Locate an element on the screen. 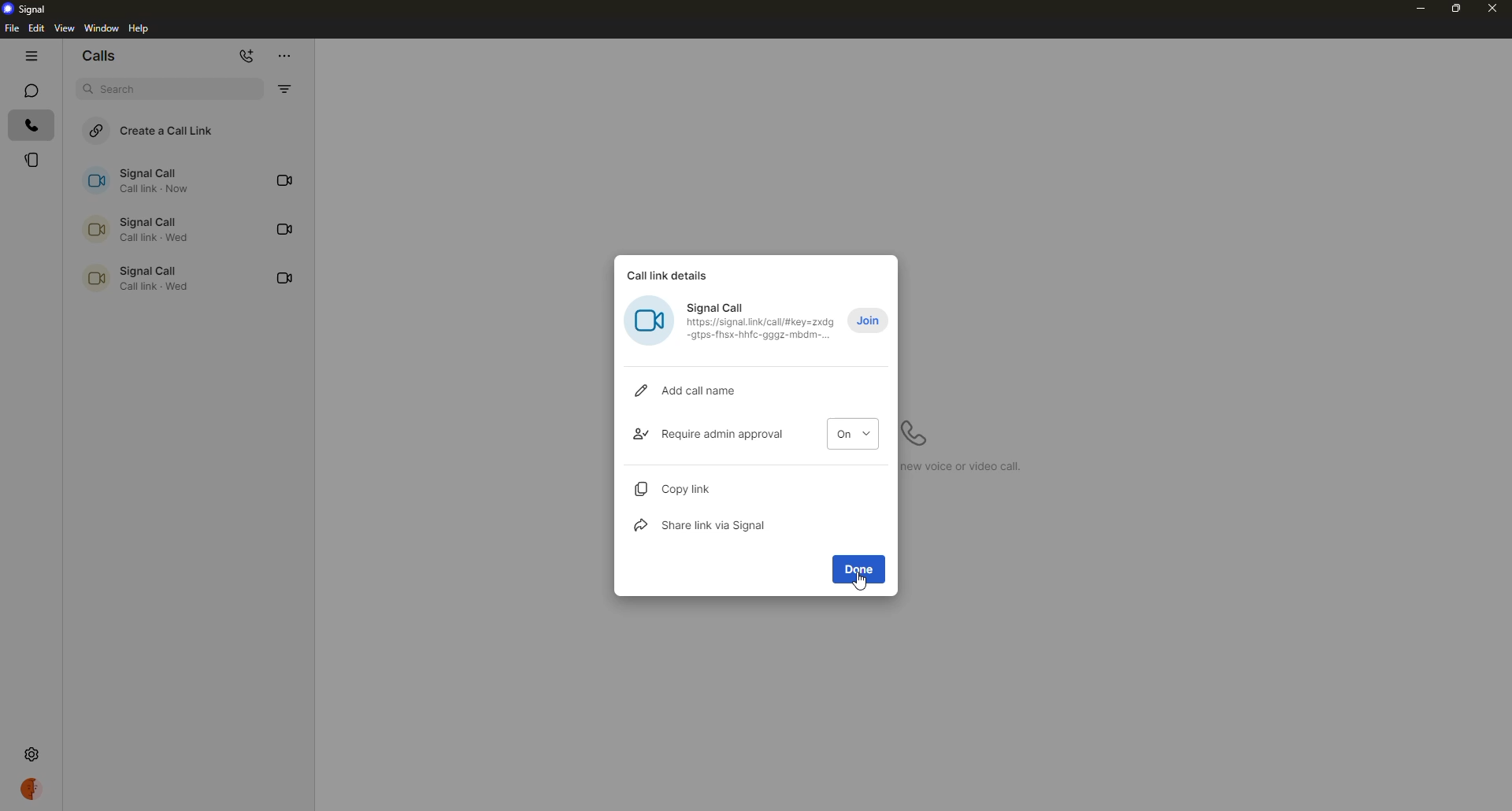 The width and height of the screenshot is (1512, 811). copy link is located at coordinates (673, 487).